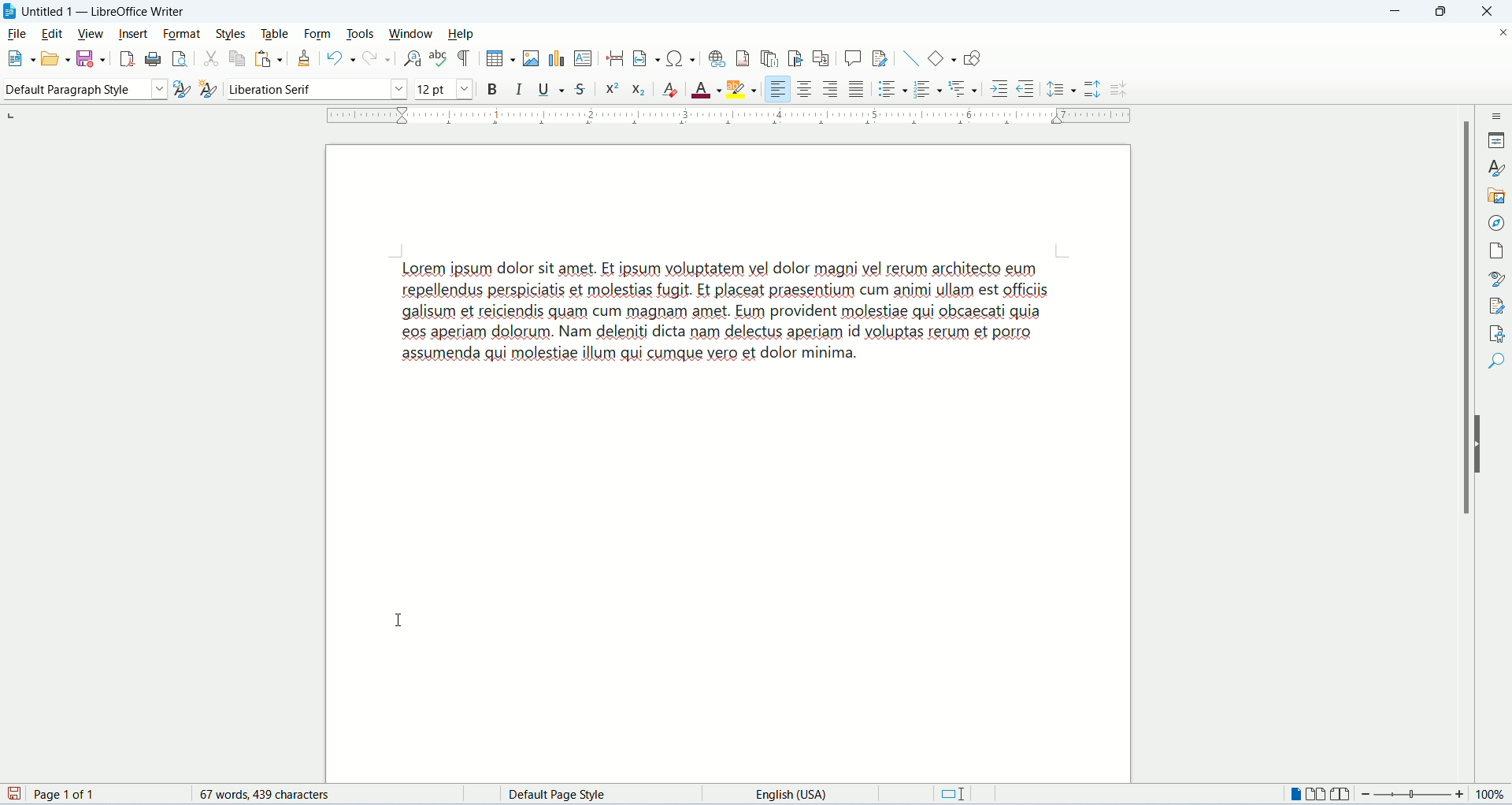 The height and width of the screenshot is (805, 1512). Describe the element at coordinates (176, 88) in the screenshot. I see `update selected style` at that location.